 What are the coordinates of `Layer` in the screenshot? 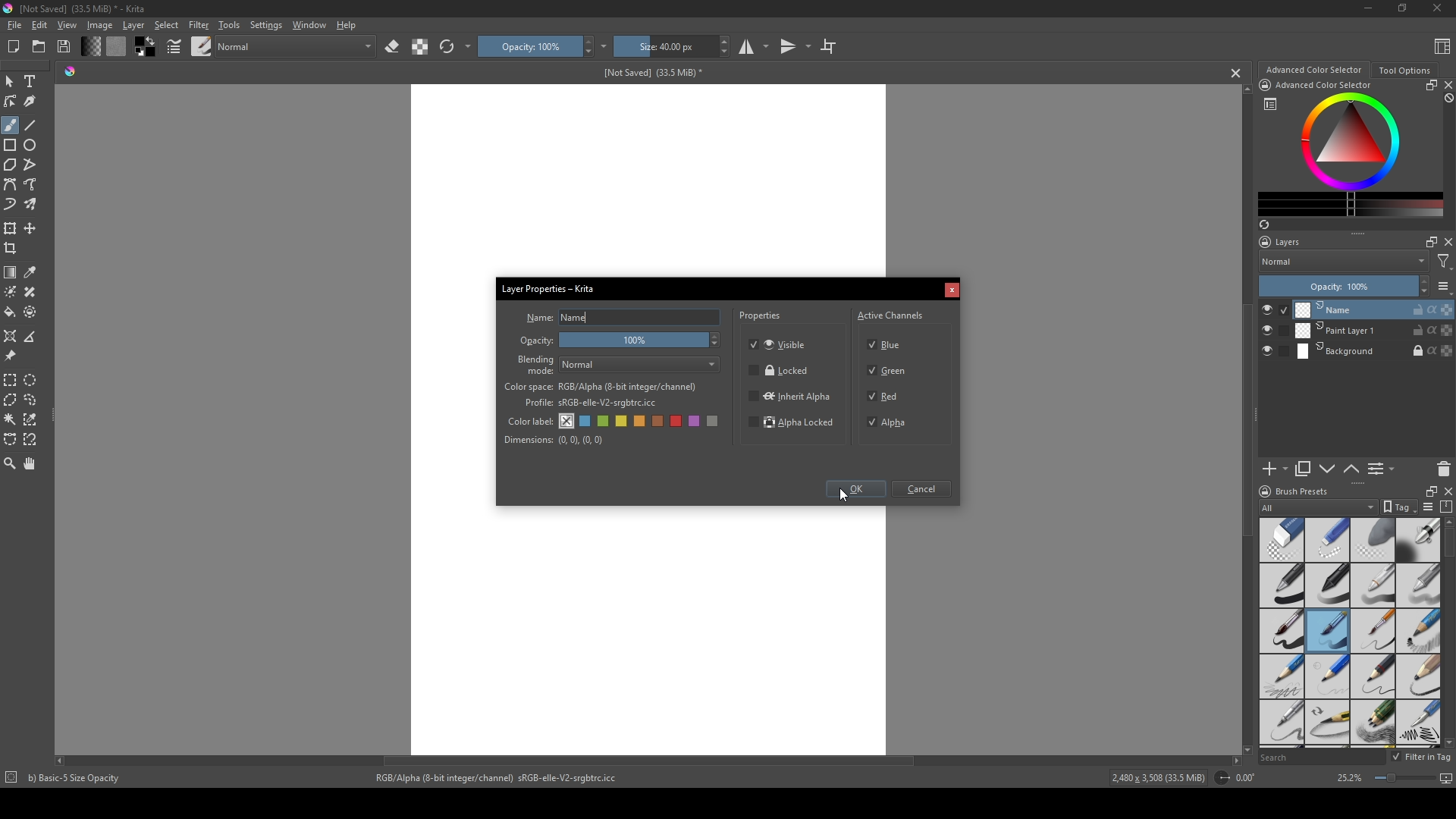 It's located at (133, 25).